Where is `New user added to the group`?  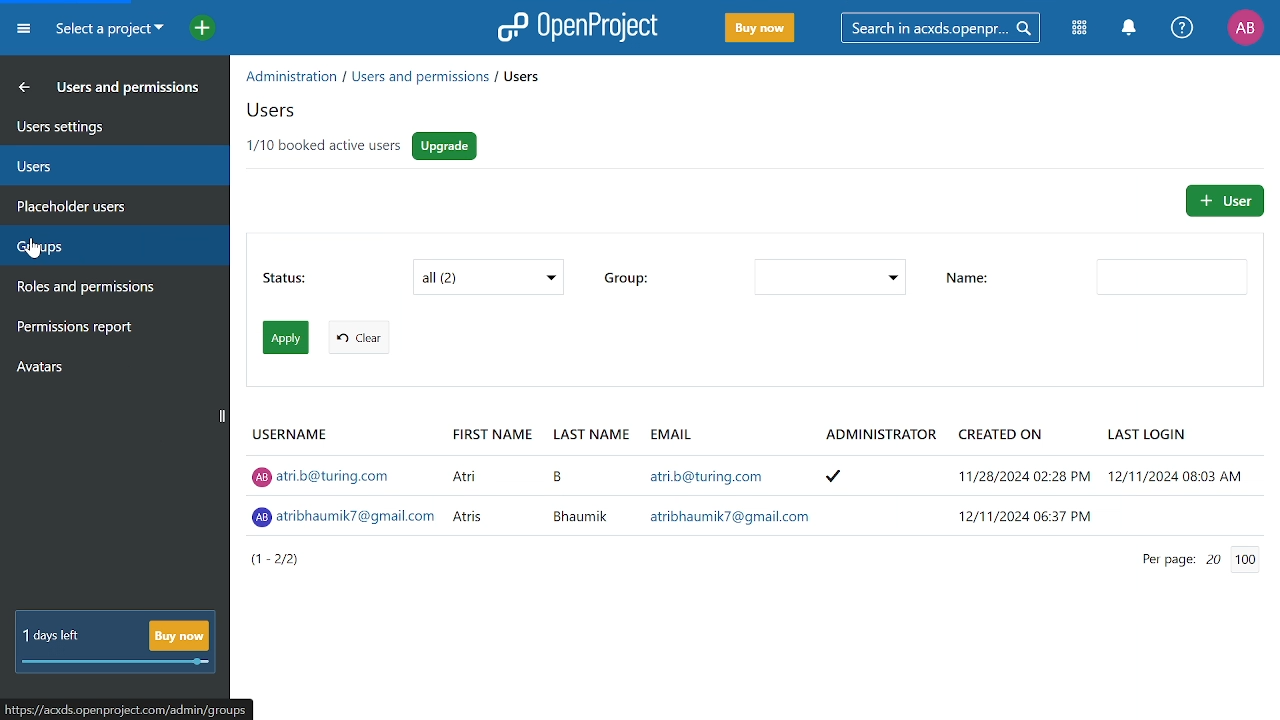
New user added to the group is located at coordinates (346, 520).